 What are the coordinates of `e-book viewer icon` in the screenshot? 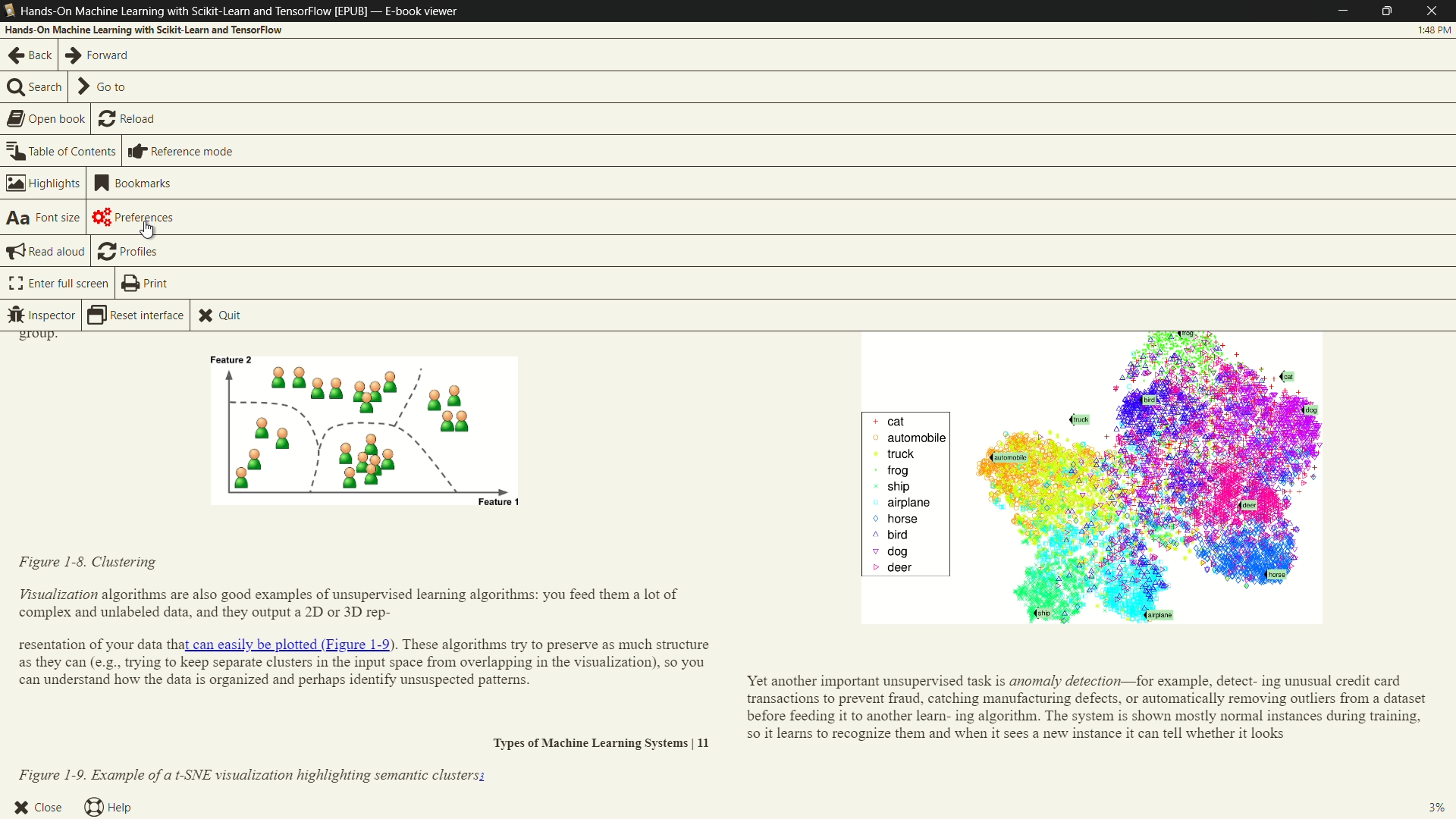 It's located at (9, 11).